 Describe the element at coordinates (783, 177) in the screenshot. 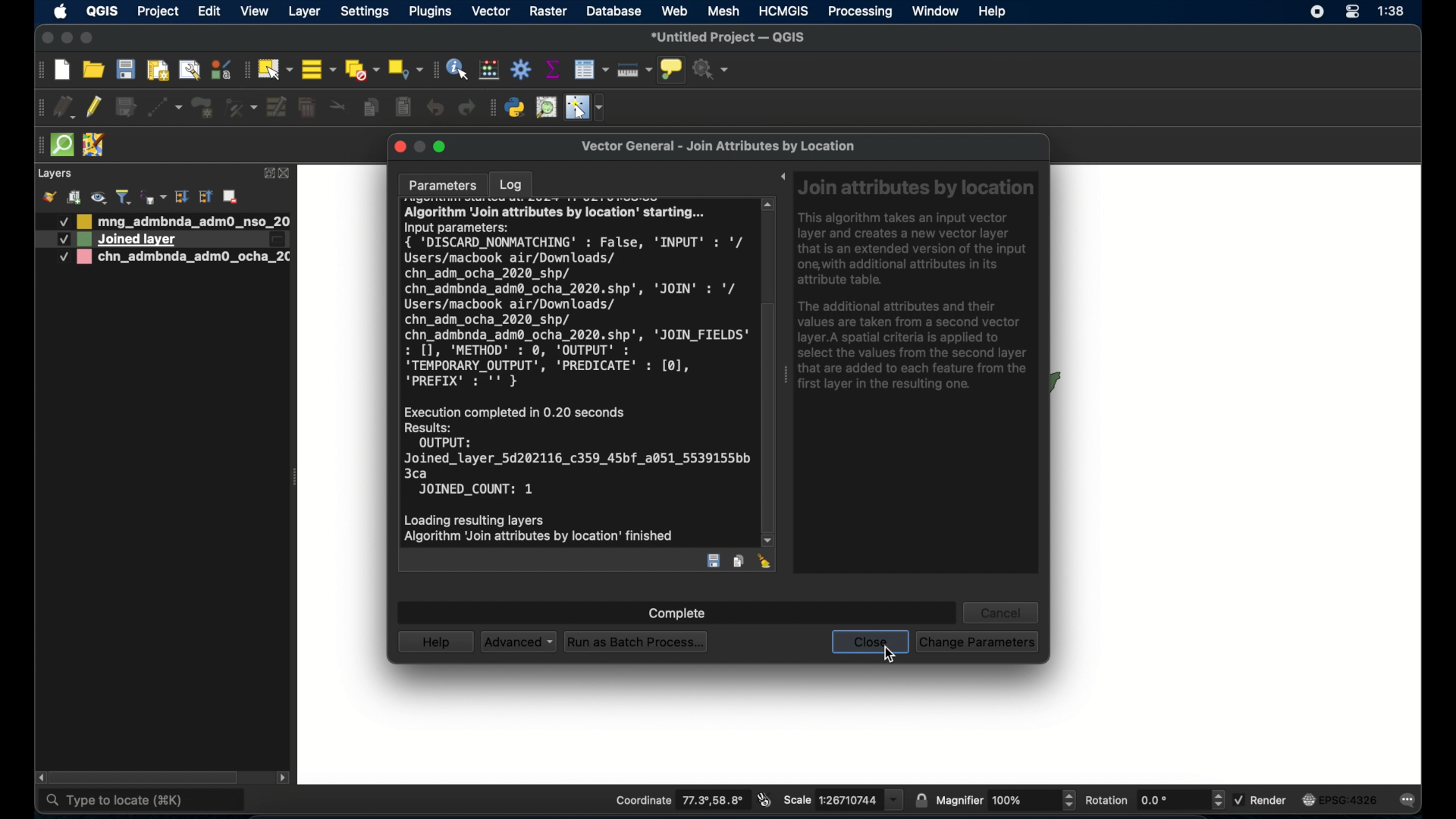

I see `expand` at that location.